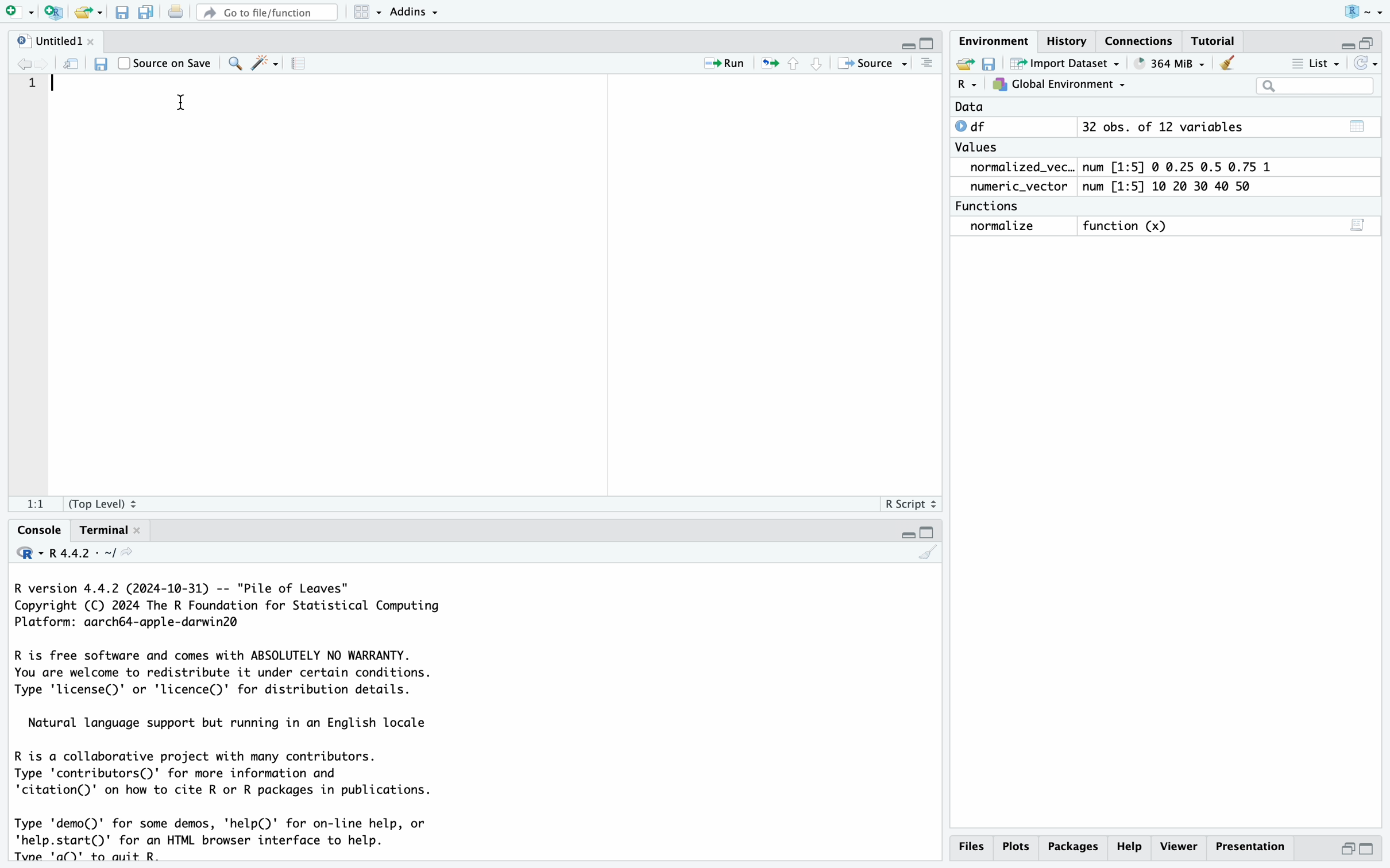  I want to click on Viewer, so click(1180, 845).